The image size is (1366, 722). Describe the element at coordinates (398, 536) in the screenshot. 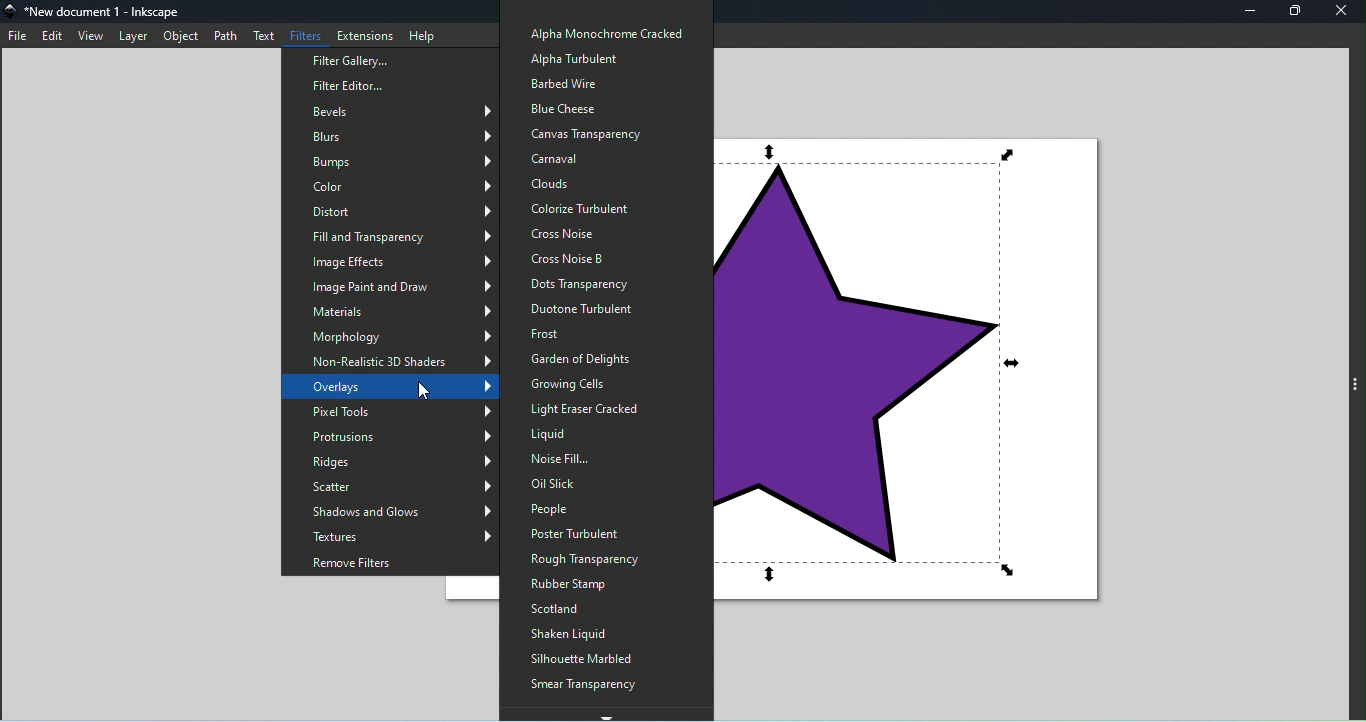

I see `Textures` at that location.